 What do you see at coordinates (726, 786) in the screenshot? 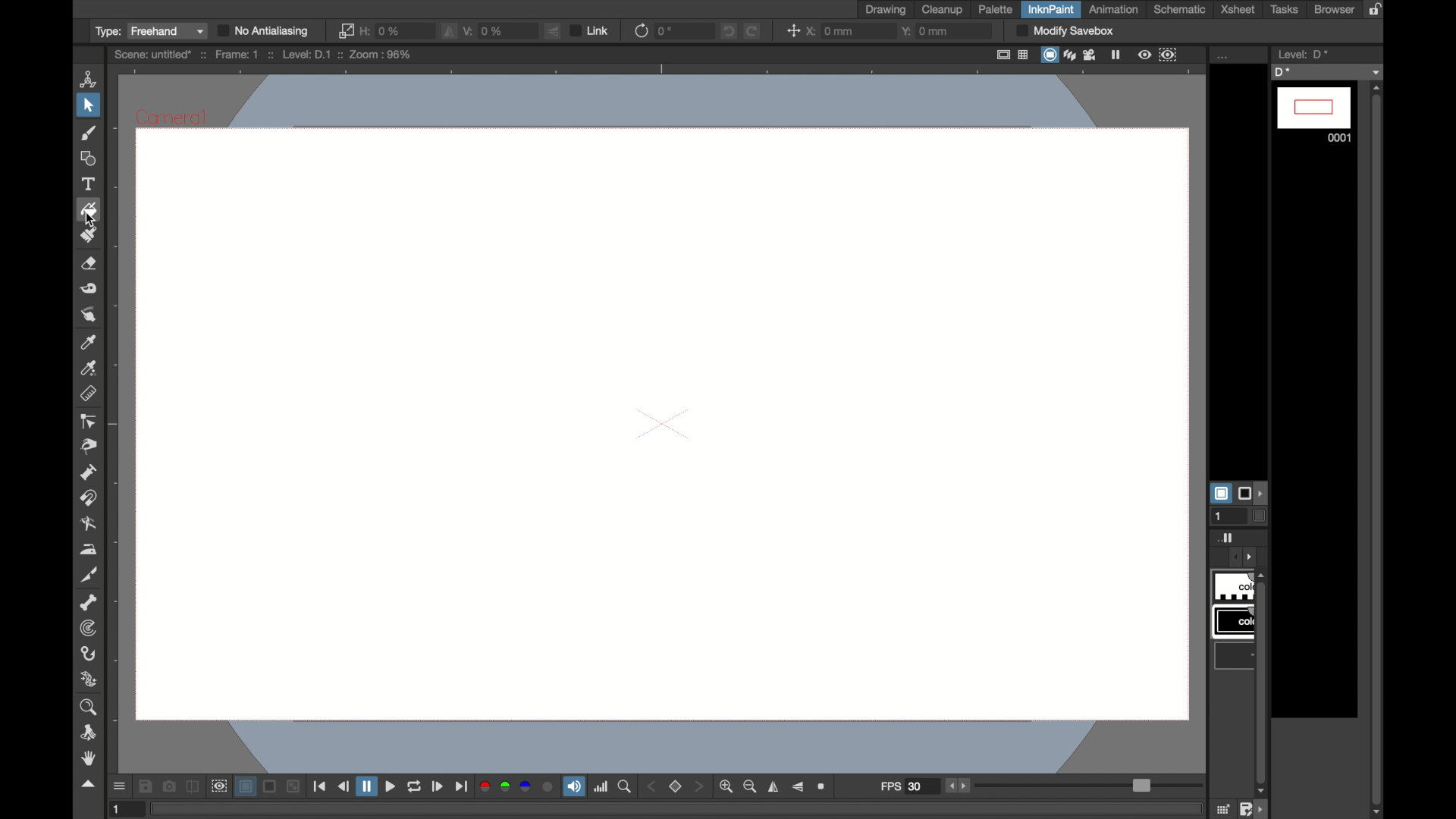
I see `zoom in` at bounding box center [726, 786].